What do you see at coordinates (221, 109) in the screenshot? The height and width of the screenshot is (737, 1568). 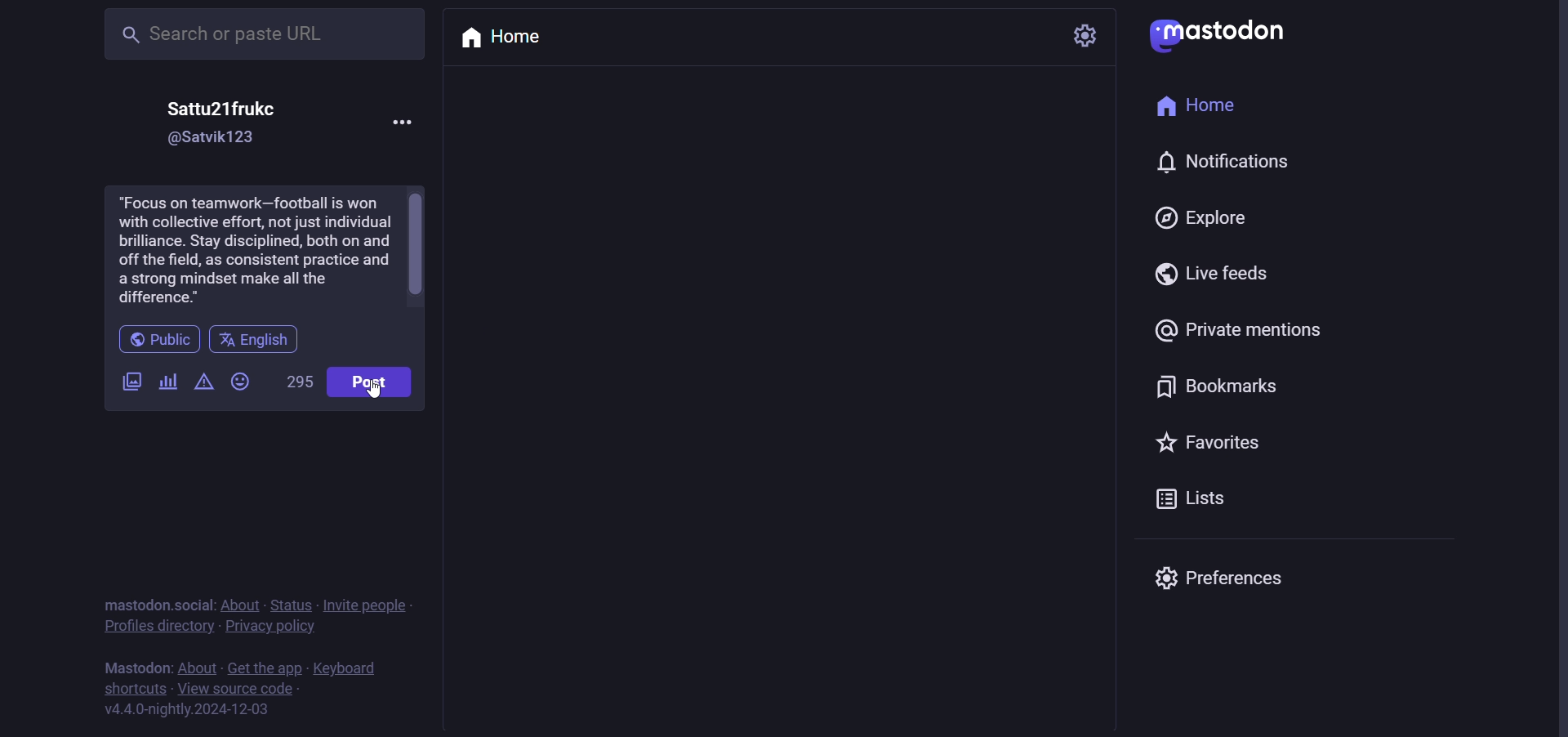 I see `name` at bounding box center [221, 109].